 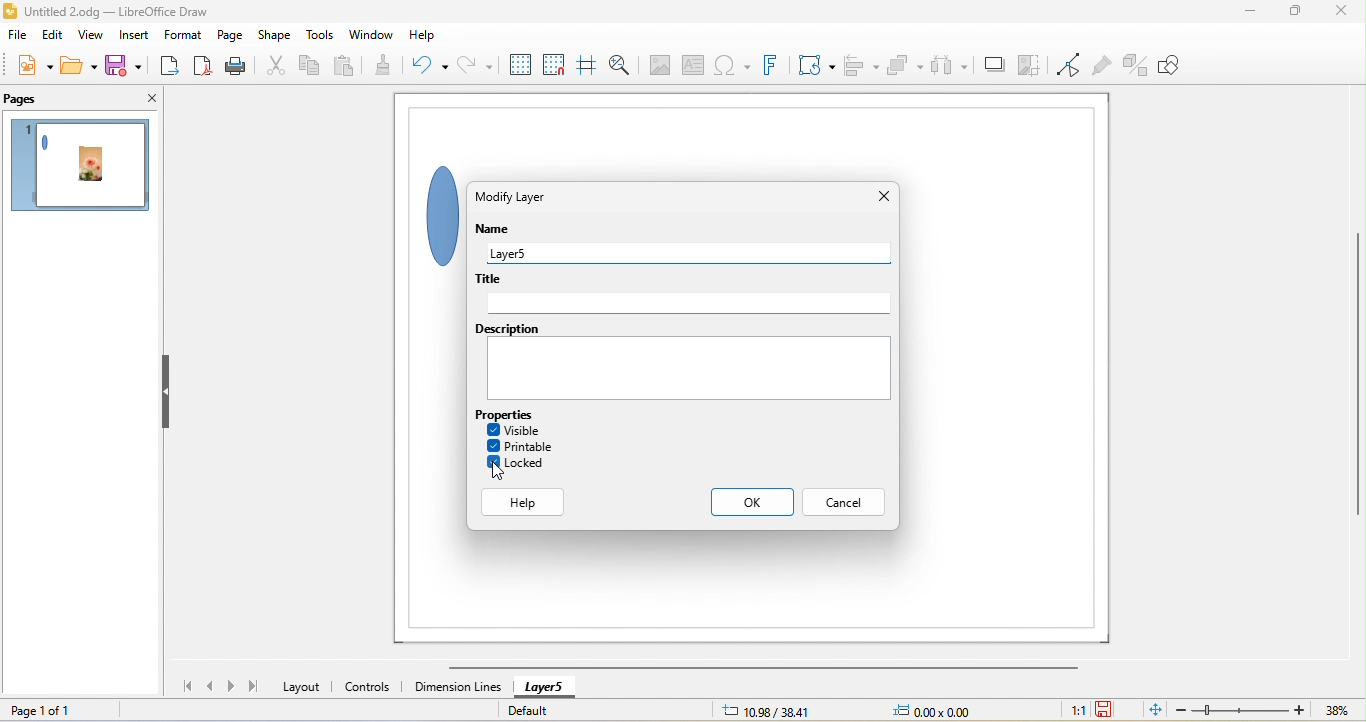 I want to click on undo, so click(x=435, y=65).